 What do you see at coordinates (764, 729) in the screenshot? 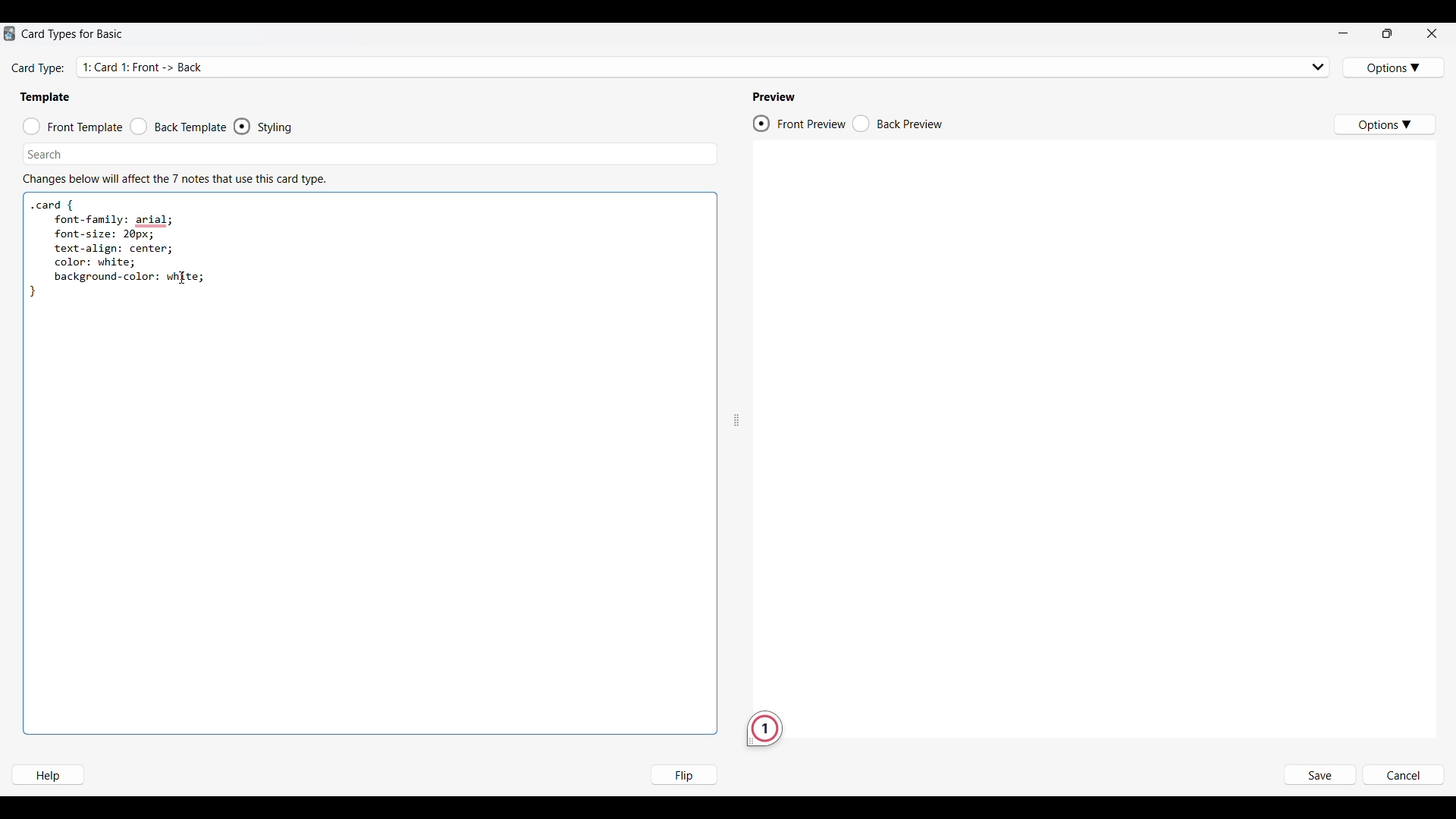
I see `Grammarly extension` at bounding box center [764, 729].